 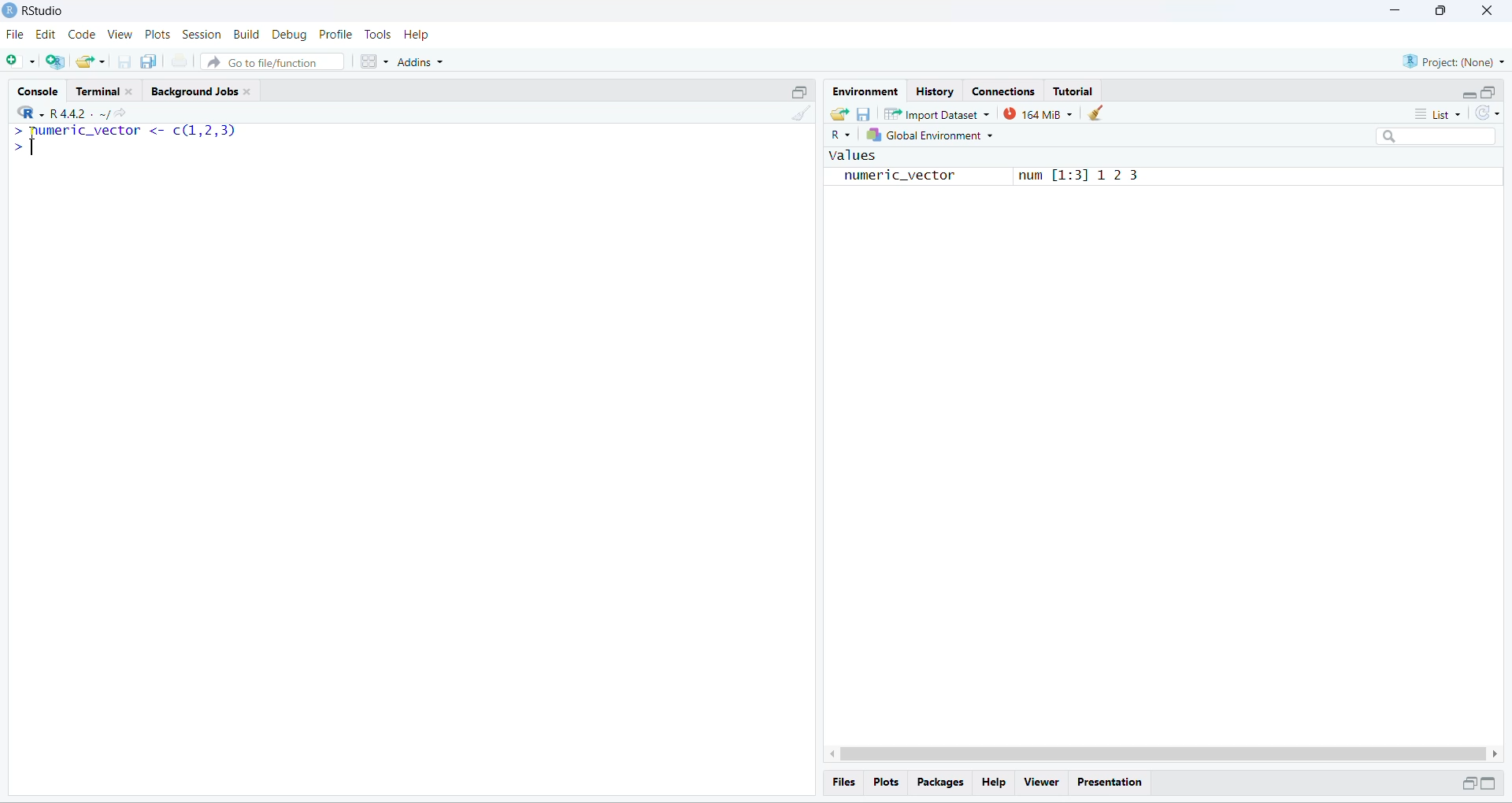 What do you see at coordinates (1164, 754) in the screenshot?
I see `scrollbar` at bounding box center [1164, 754].